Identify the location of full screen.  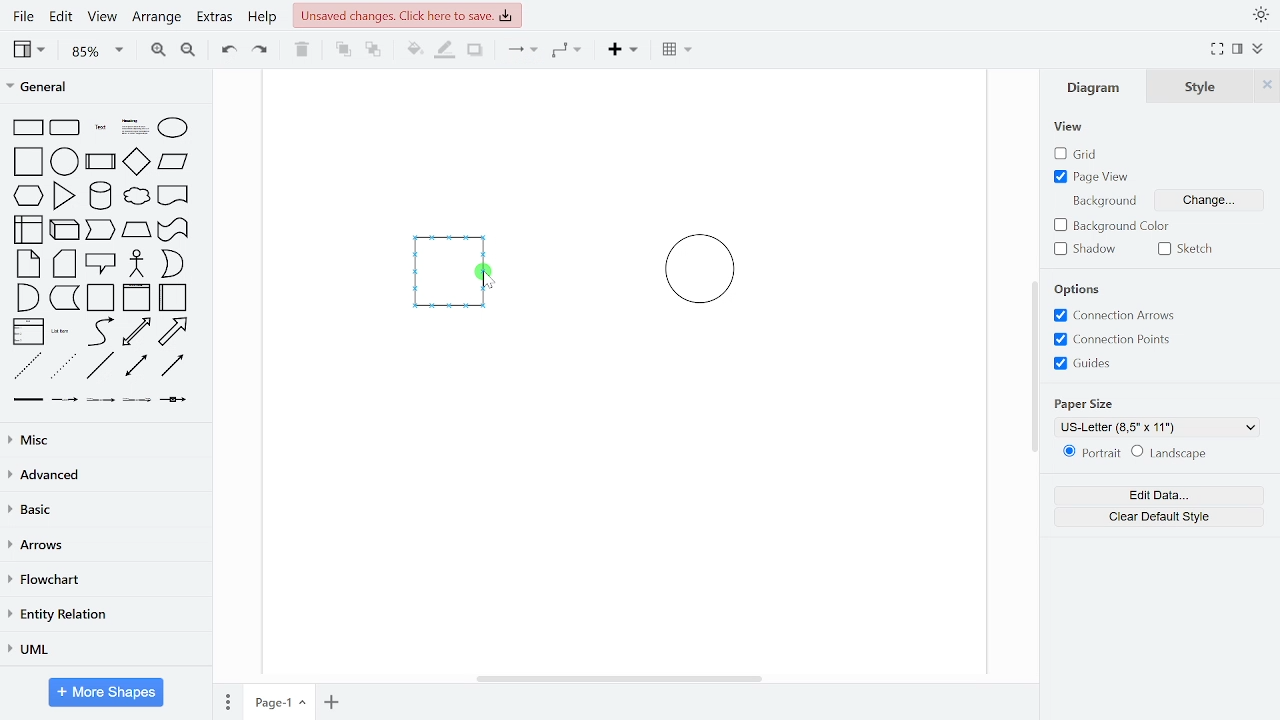
(1218, 50).